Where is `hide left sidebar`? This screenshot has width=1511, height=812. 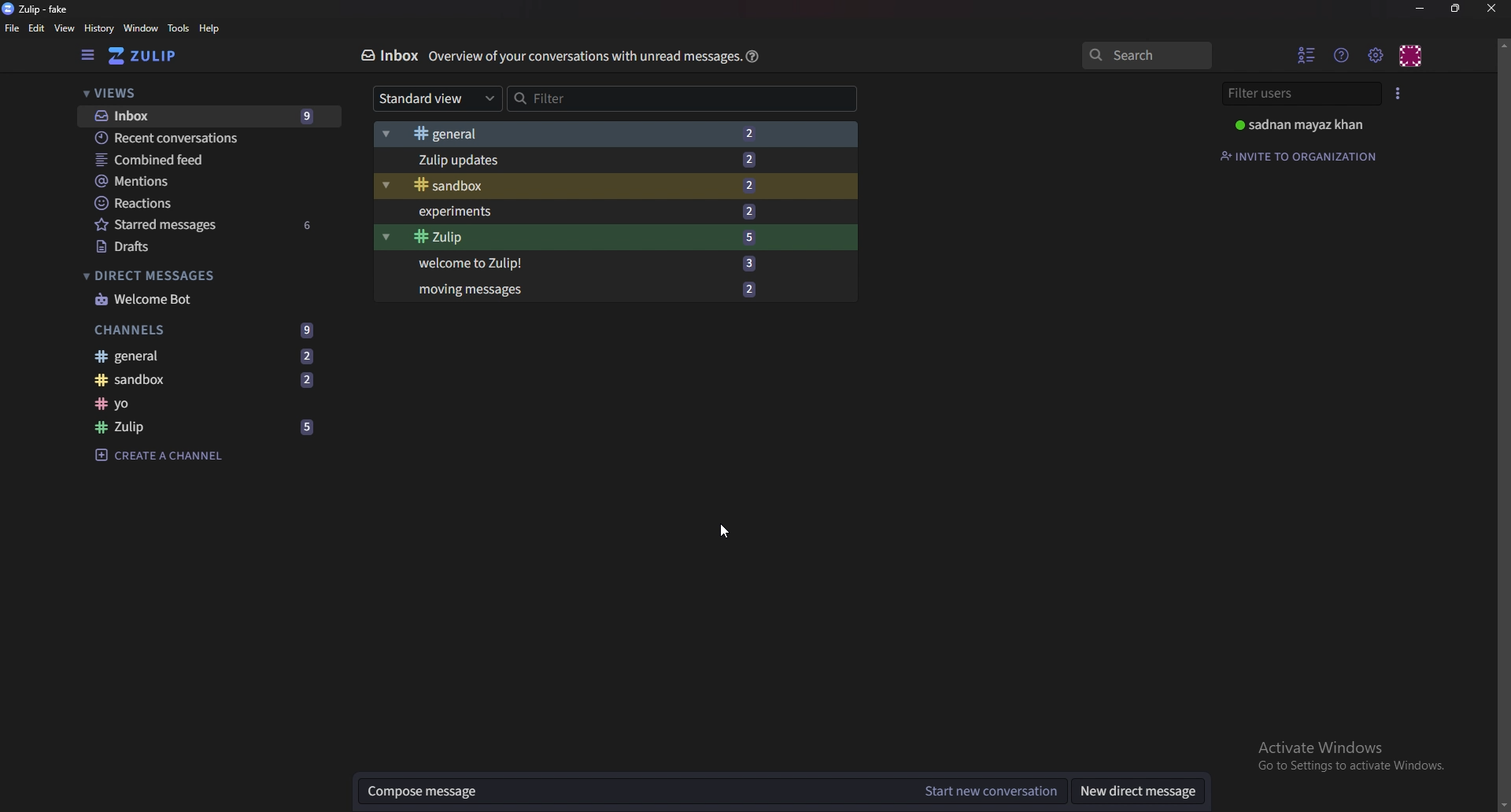
hide left sidebar is located at coordinates (87, 54).